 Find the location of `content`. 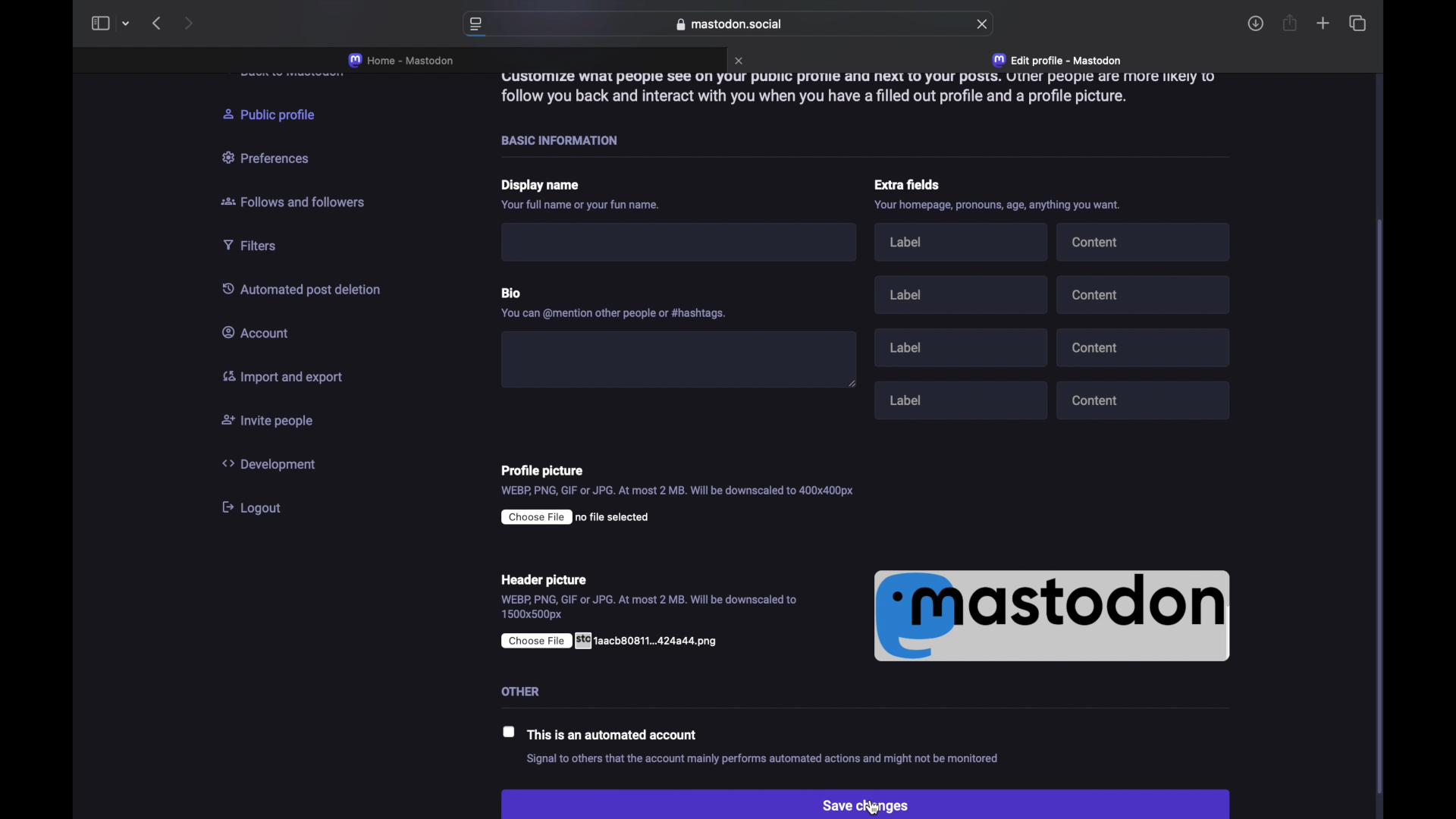

content is located at coordinates (1146, 293).